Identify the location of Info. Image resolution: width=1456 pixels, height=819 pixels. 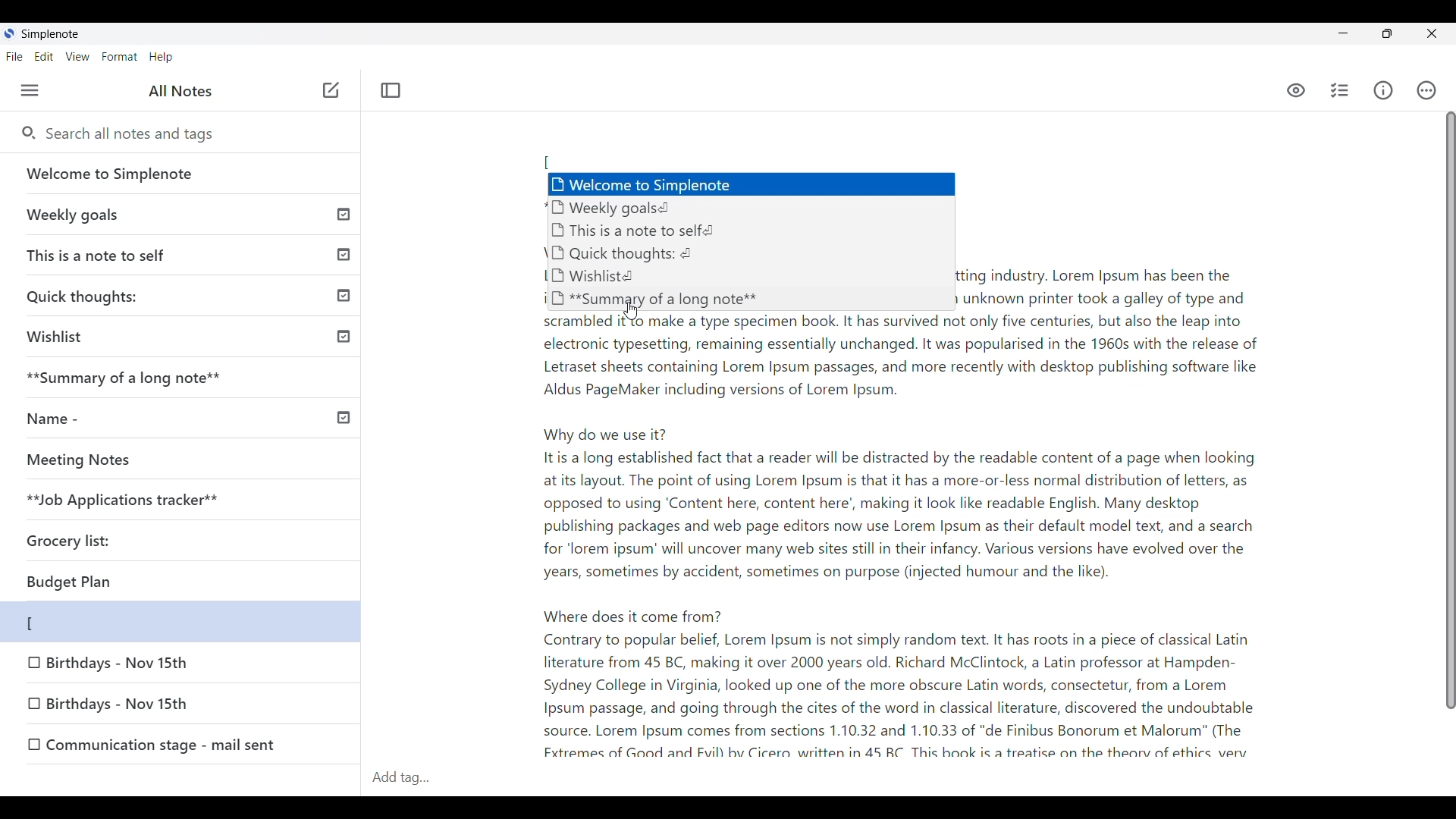
(1383, 90).